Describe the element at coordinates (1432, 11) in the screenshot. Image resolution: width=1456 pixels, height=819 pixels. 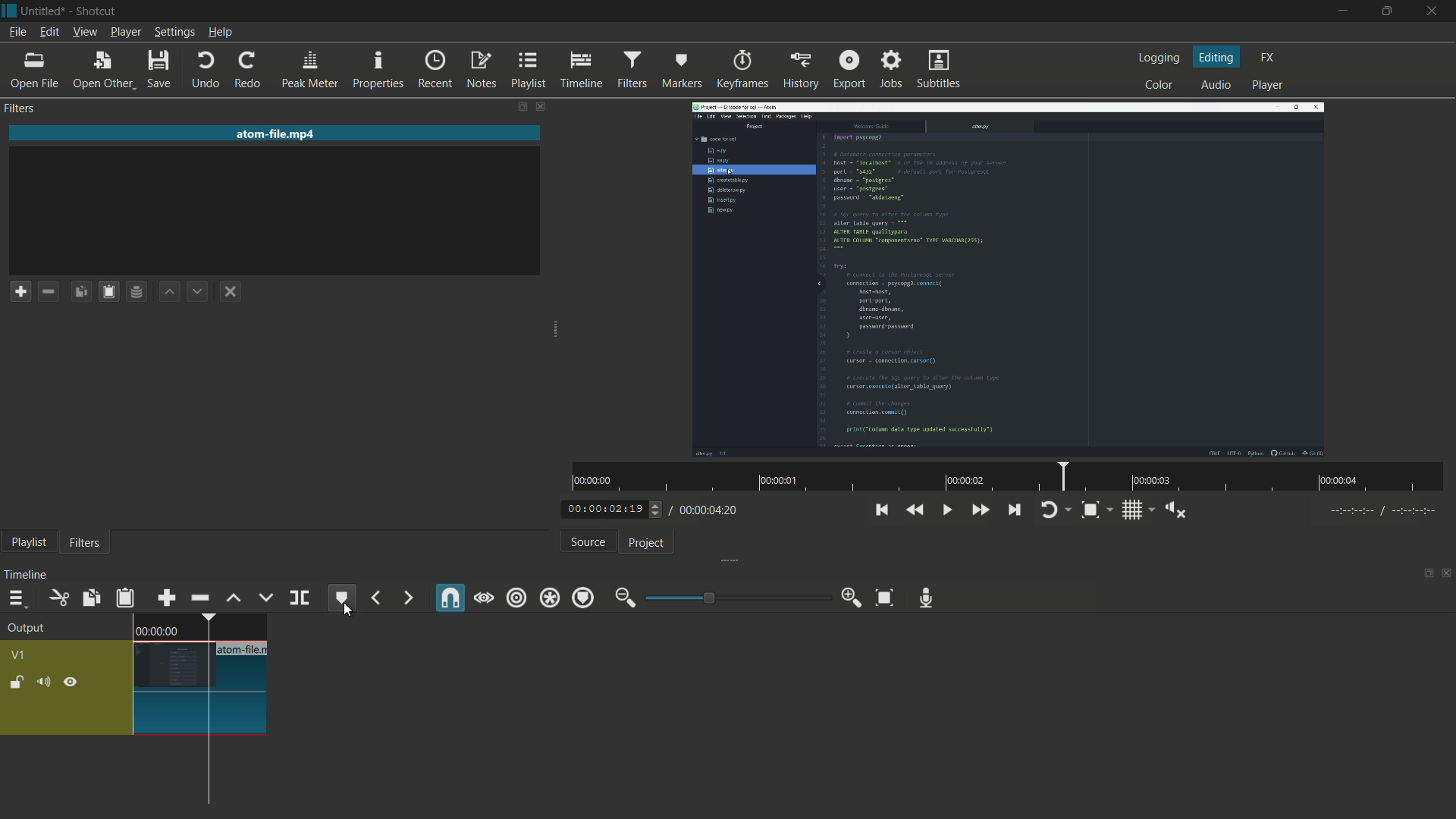
I see `close window` at that location.